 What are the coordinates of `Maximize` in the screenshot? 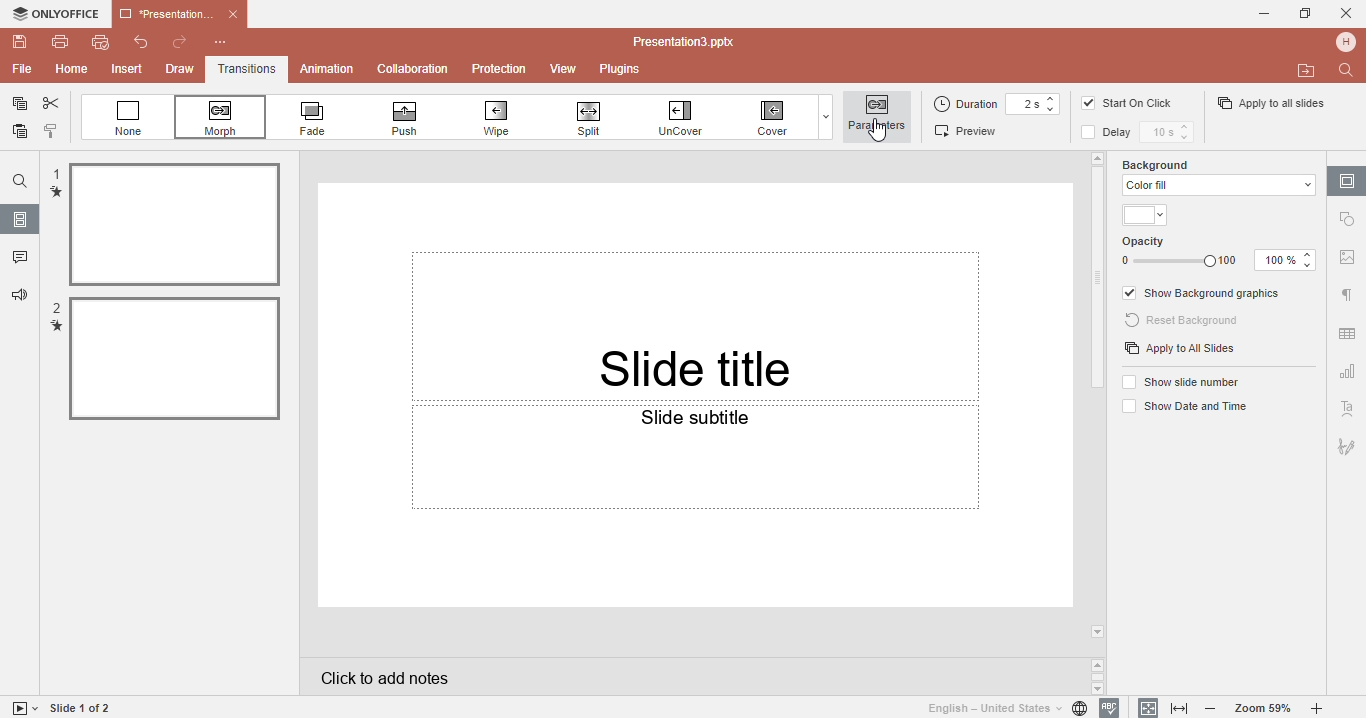 It's located at (1306, 12).